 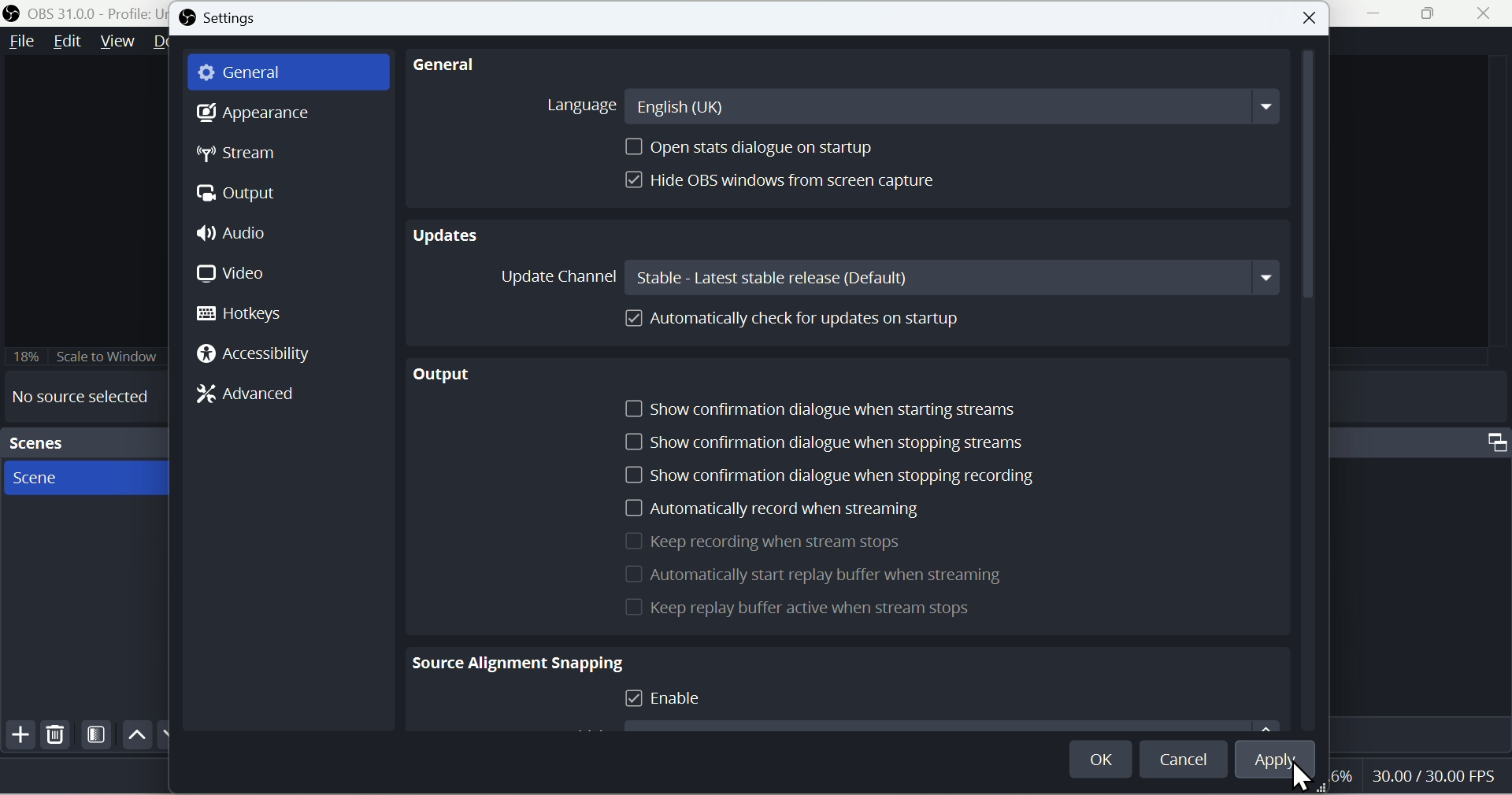 I want to click on , so click(x=121, y=46).